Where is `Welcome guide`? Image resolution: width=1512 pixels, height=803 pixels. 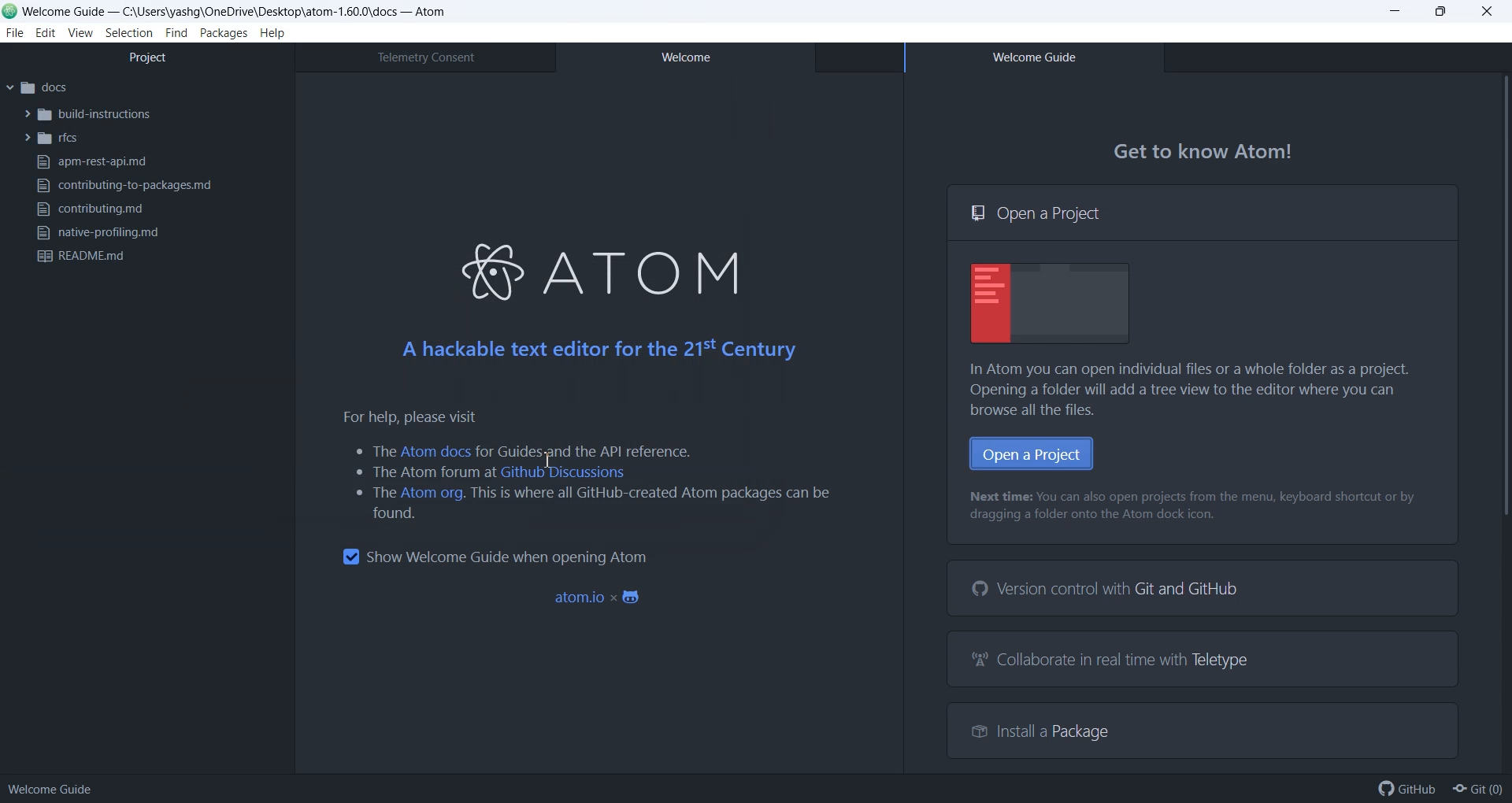
Welcome guide is located at coordinates (50, 789).